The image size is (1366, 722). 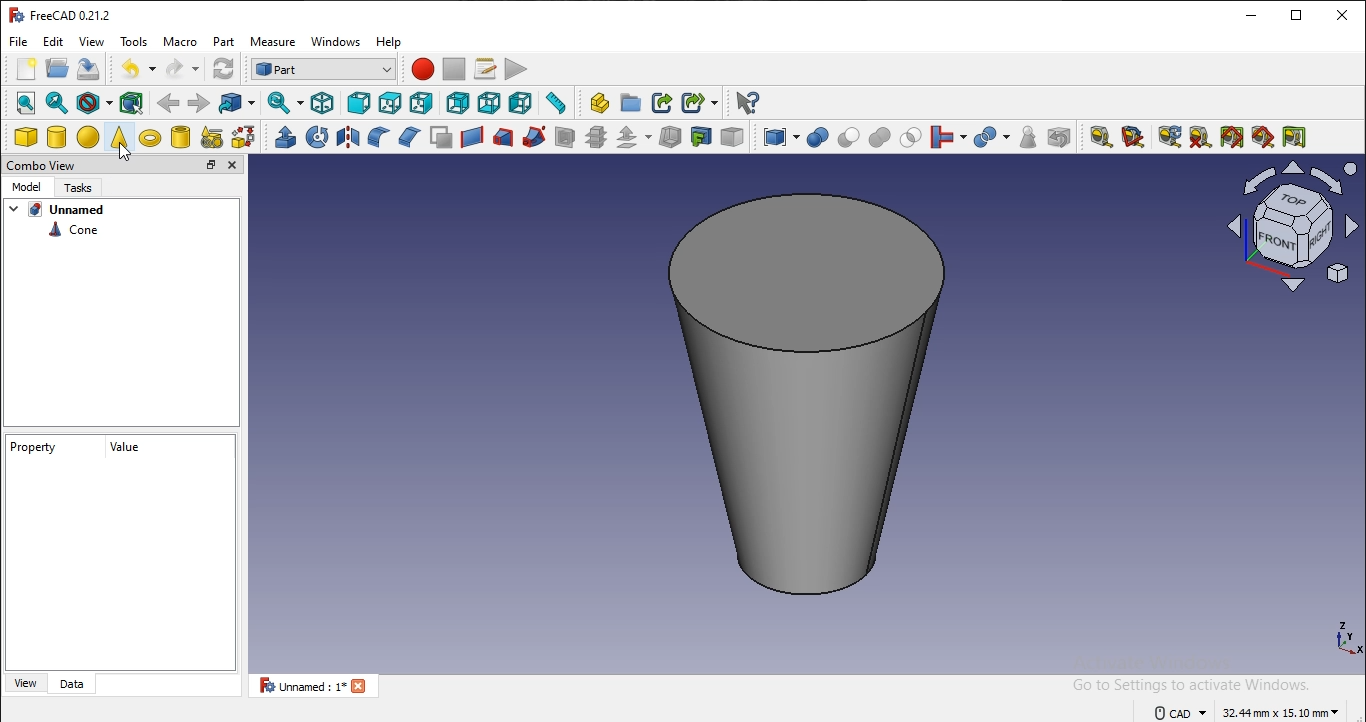 I want to click on file, so click(x=21, y=40).